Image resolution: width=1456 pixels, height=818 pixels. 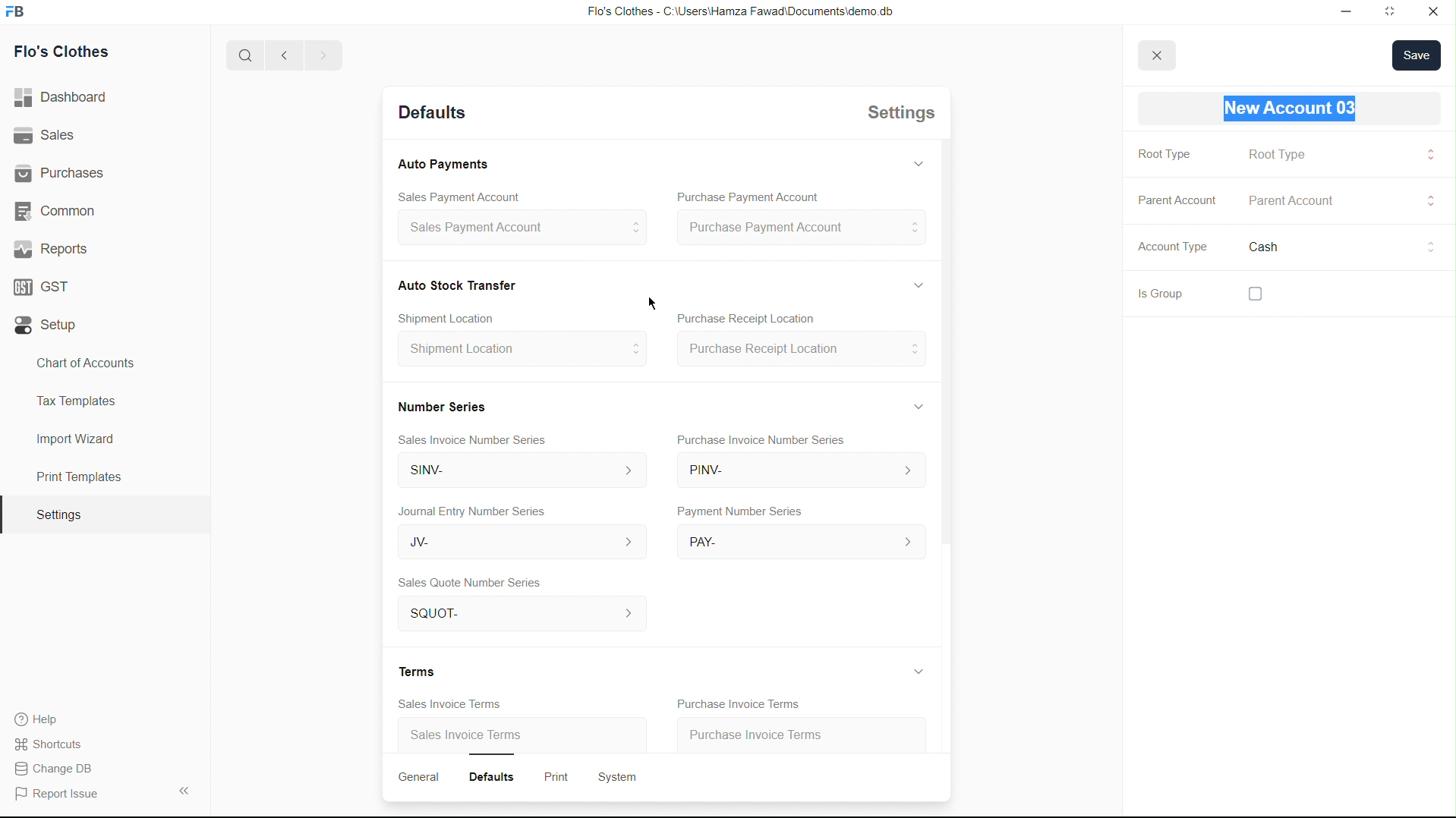 What do you see at coordinates (1427, 200) in the screenshot?
I see `` at bounding box center [1427, 200].